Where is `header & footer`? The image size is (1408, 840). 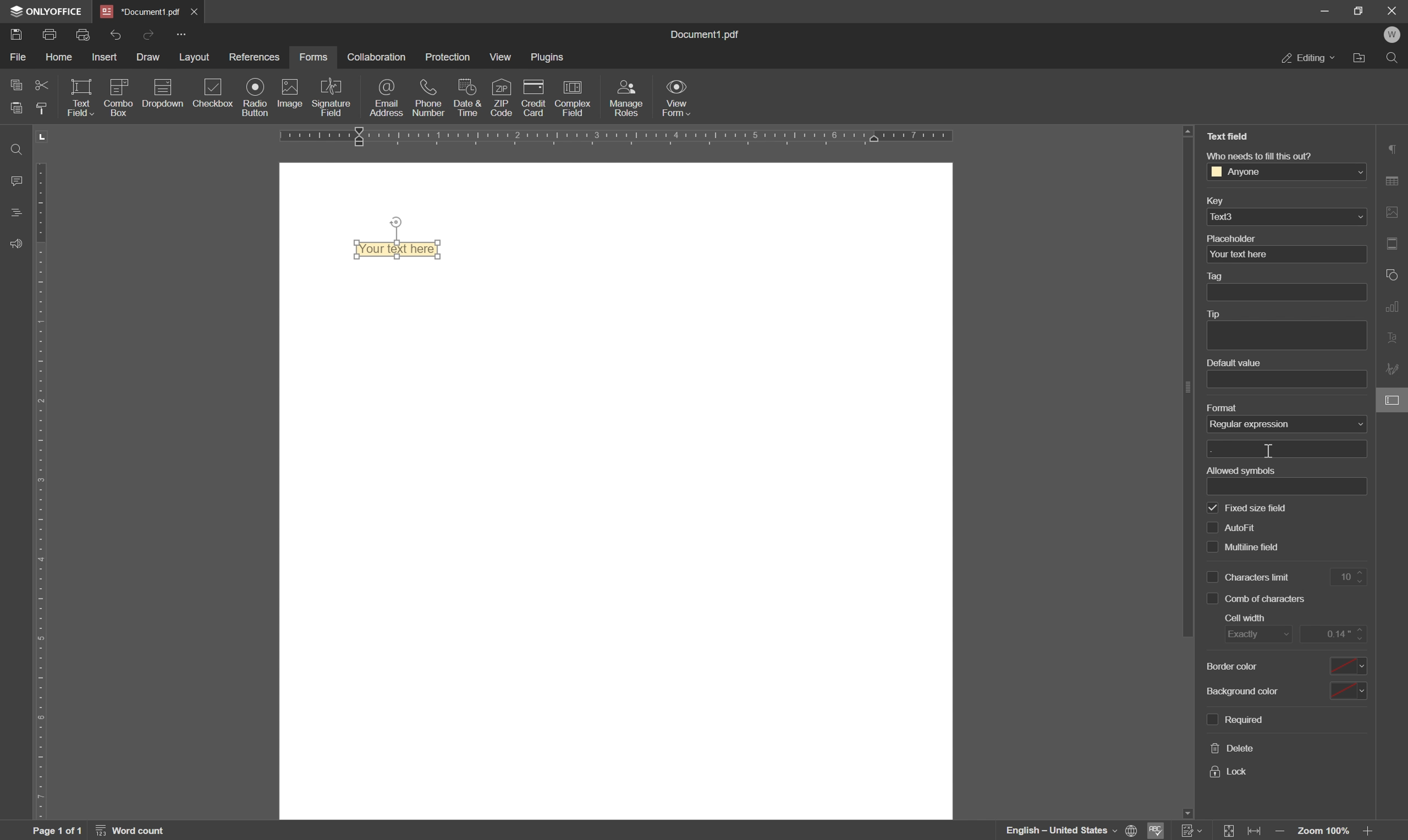 header & footer is located at coordinates (1395, 243).